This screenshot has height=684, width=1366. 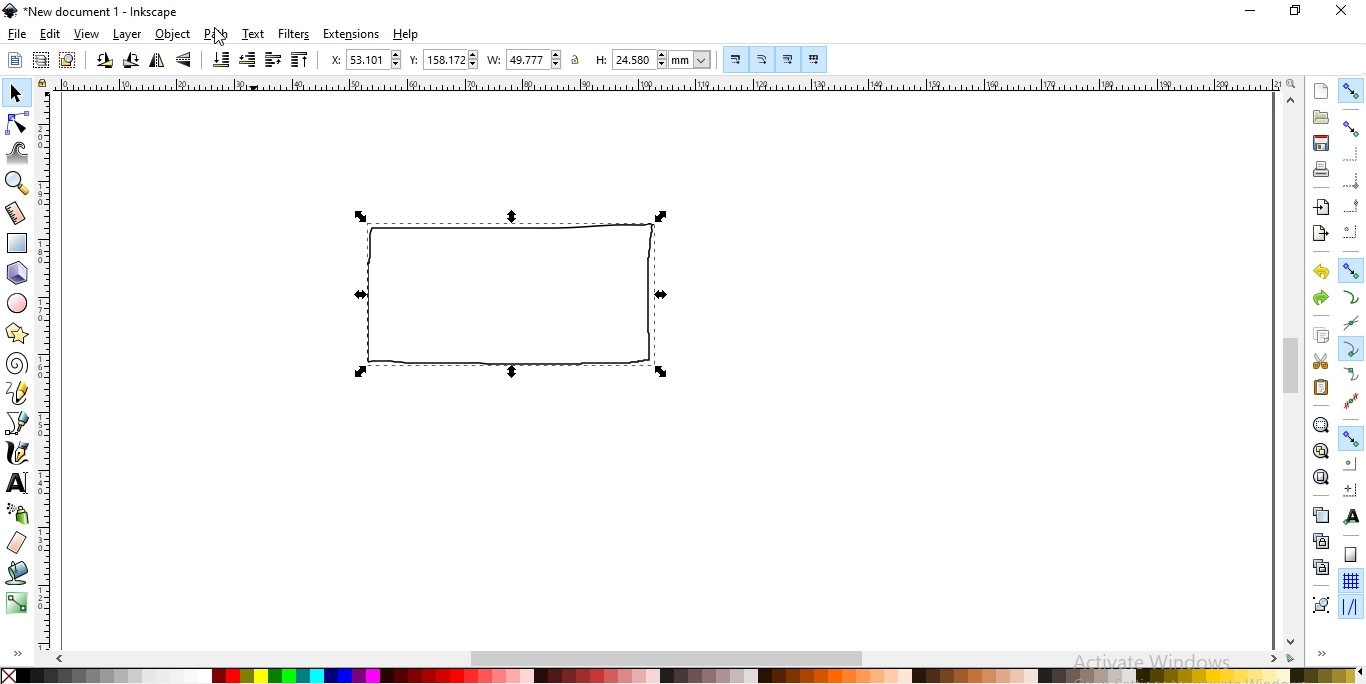 What do you see at coordinates (1289, 84) in the screenshot?
I see `zoom` at bounding box center [1289, 84].